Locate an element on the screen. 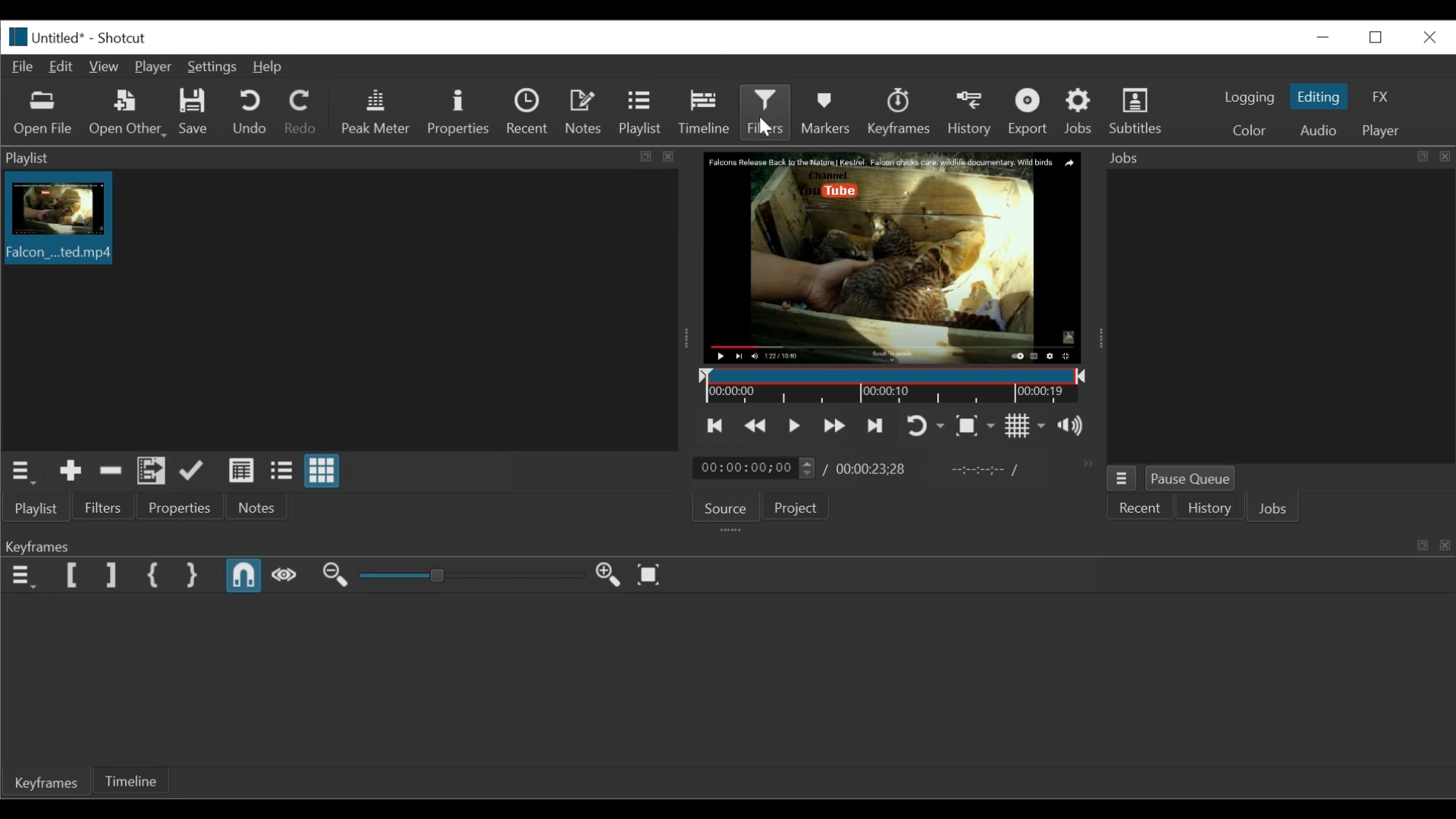  Zoom keyframe out is located at coordinates (335, 576).